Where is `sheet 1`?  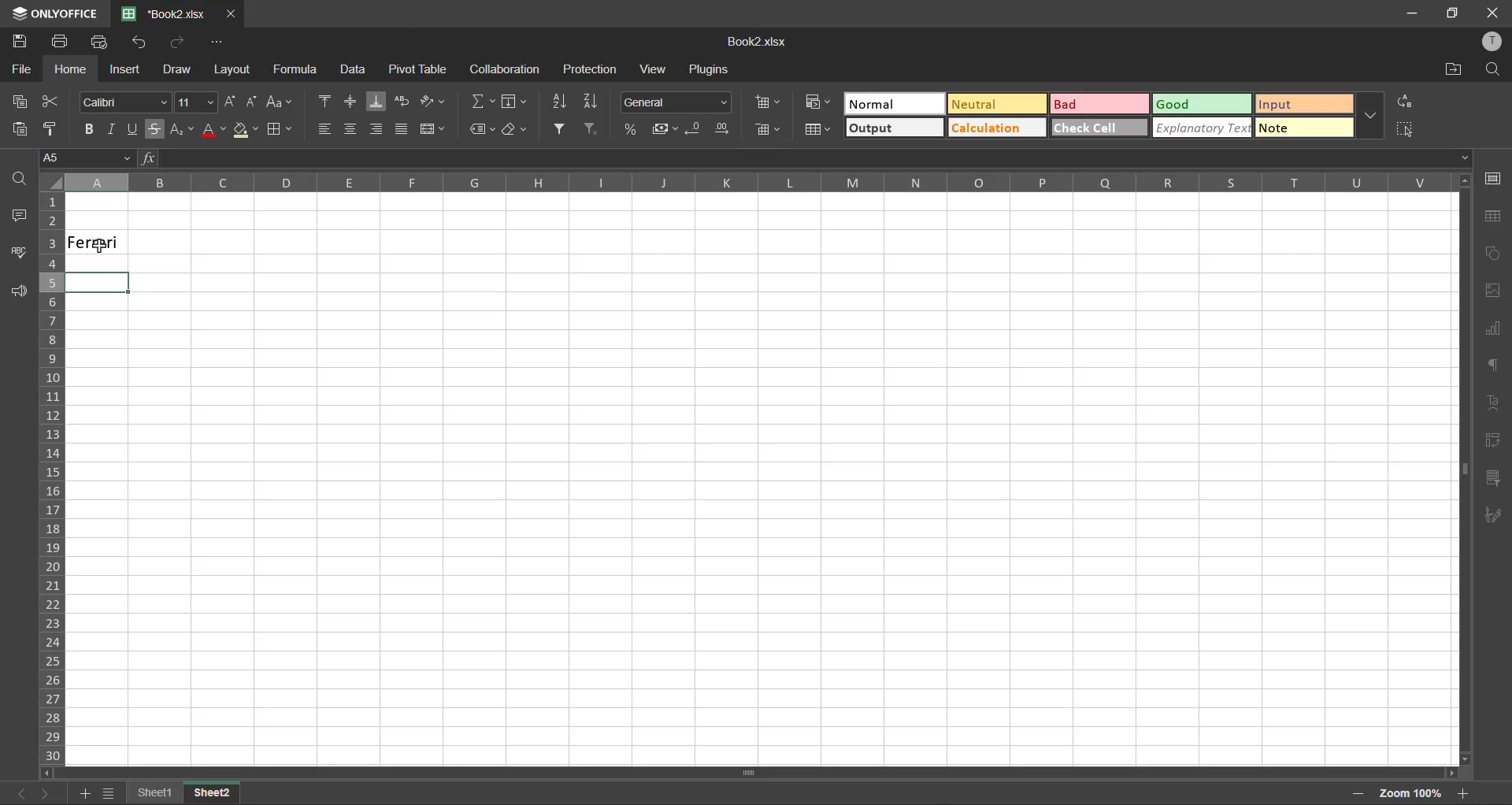 sheet 1 is located at coordinates (150, 792).